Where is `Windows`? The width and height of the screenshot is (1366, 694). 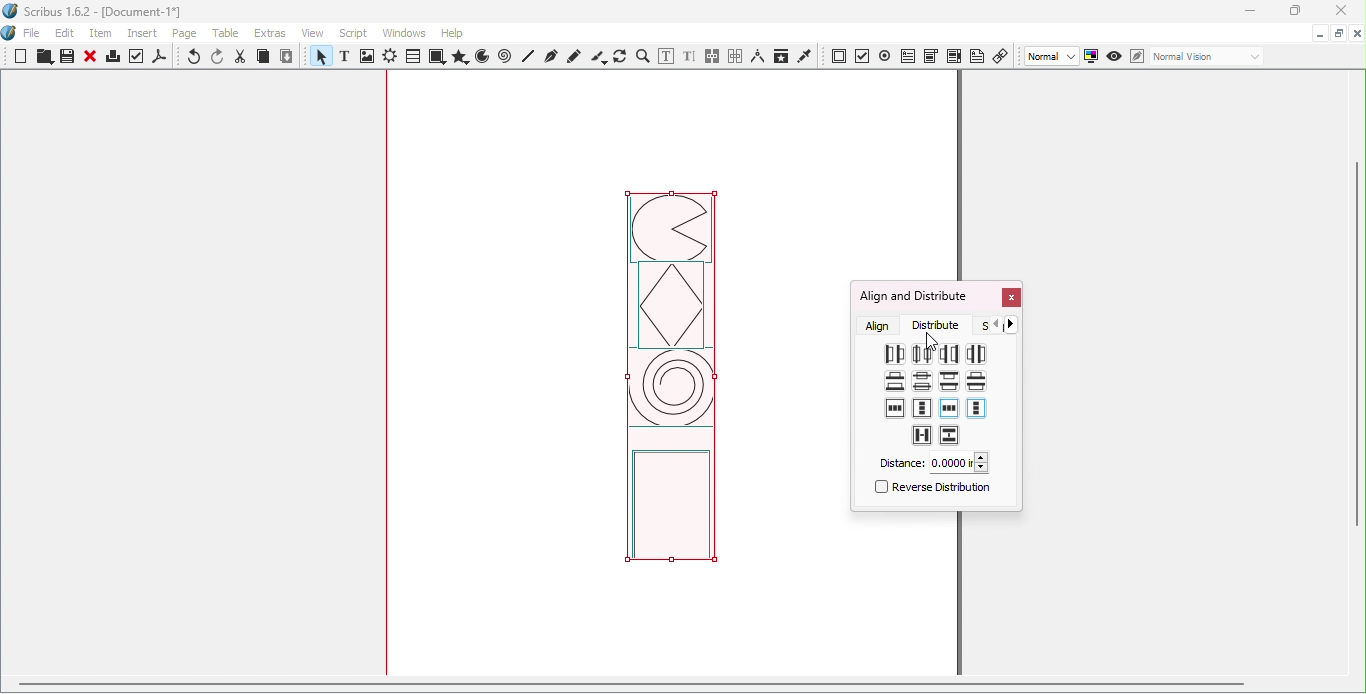 Windows is located at coordinates (404, 33).